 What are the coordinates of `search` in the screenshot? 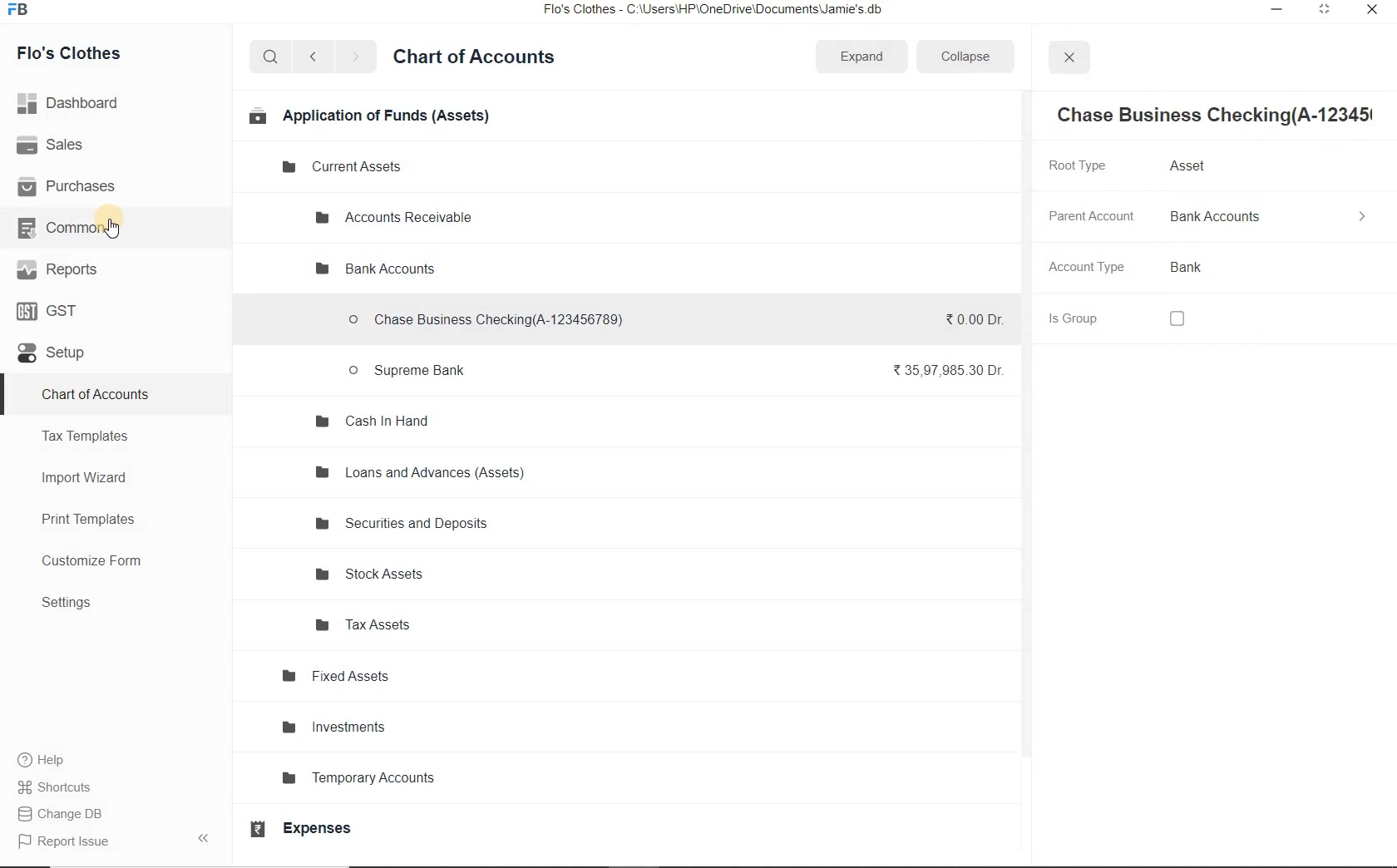 It's located at (271, 57).